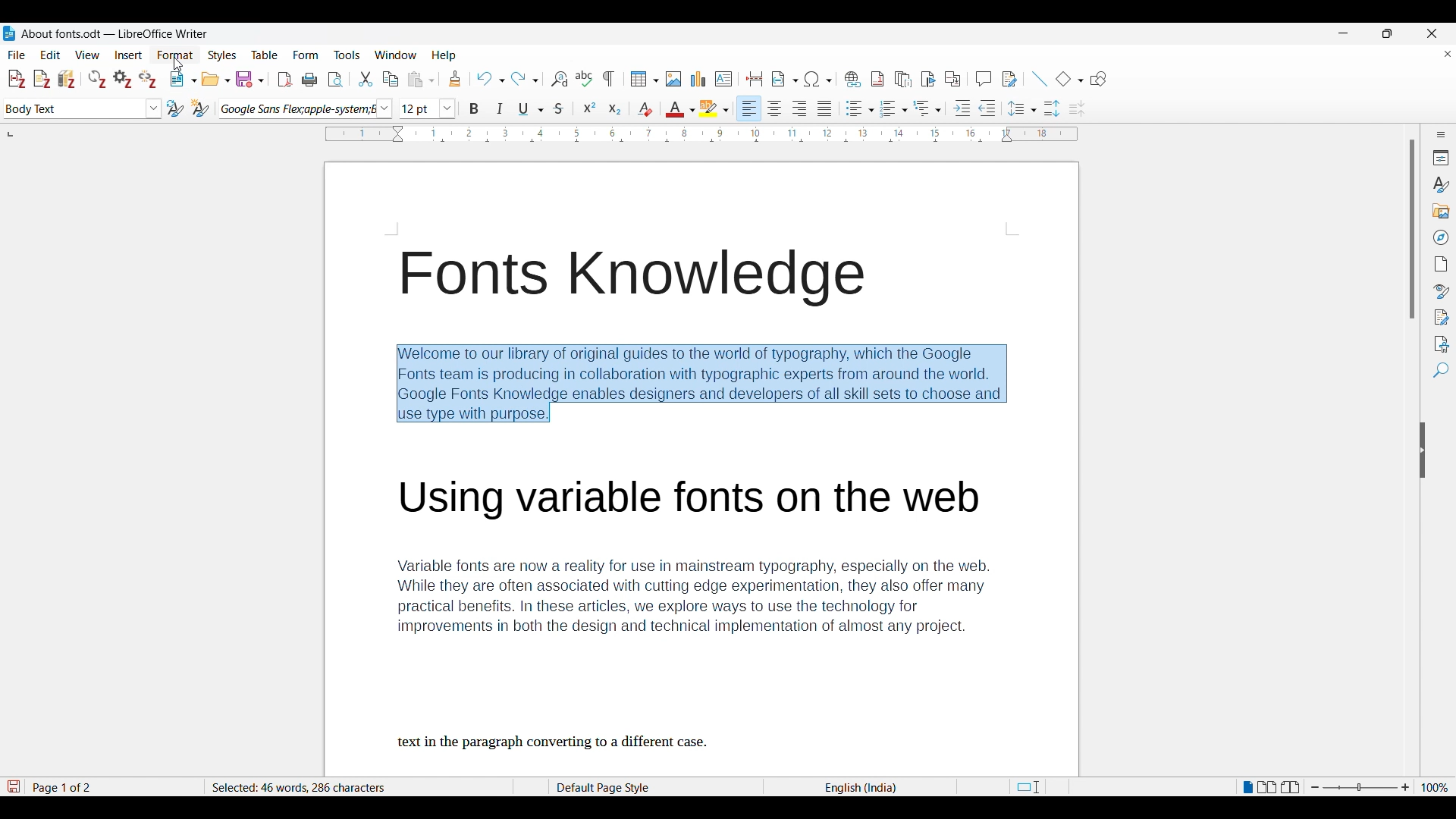  What do you see at coordinates (306, 109) in the screenshot?
I see `Font options` at bounding box center [306, 109].